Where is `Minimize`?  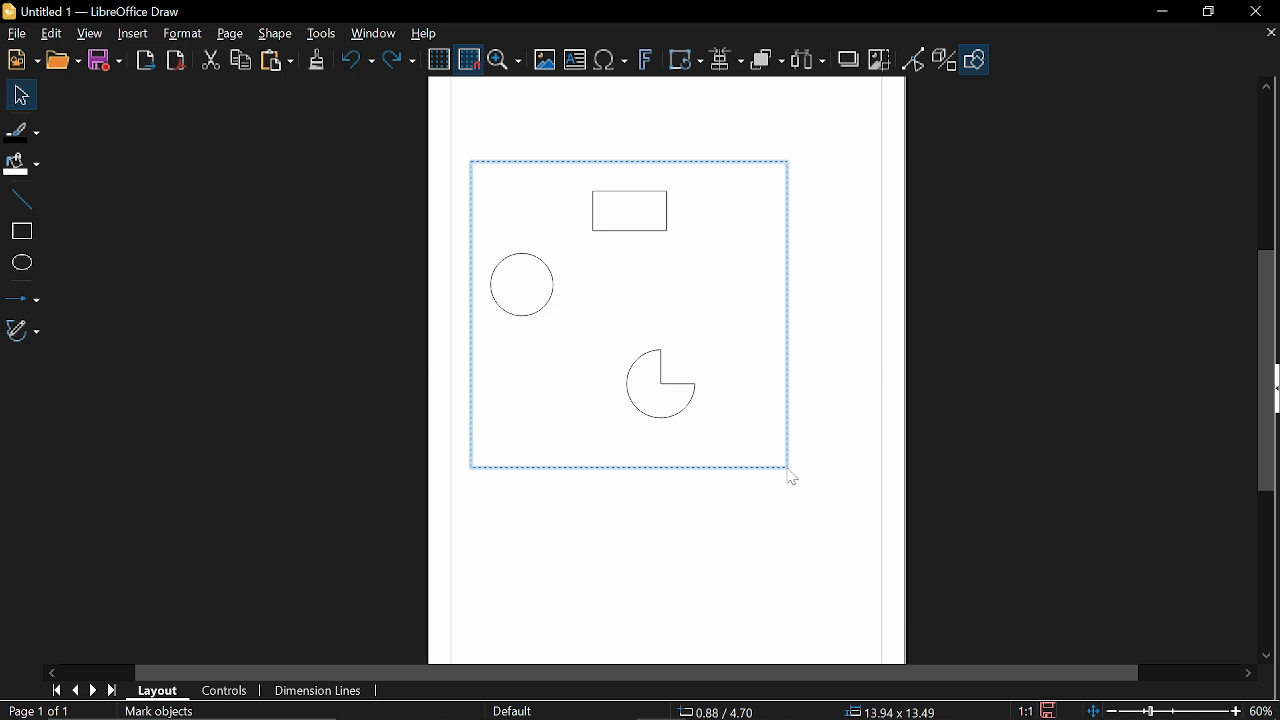 Minimize is located at coordinates (1161, 11).